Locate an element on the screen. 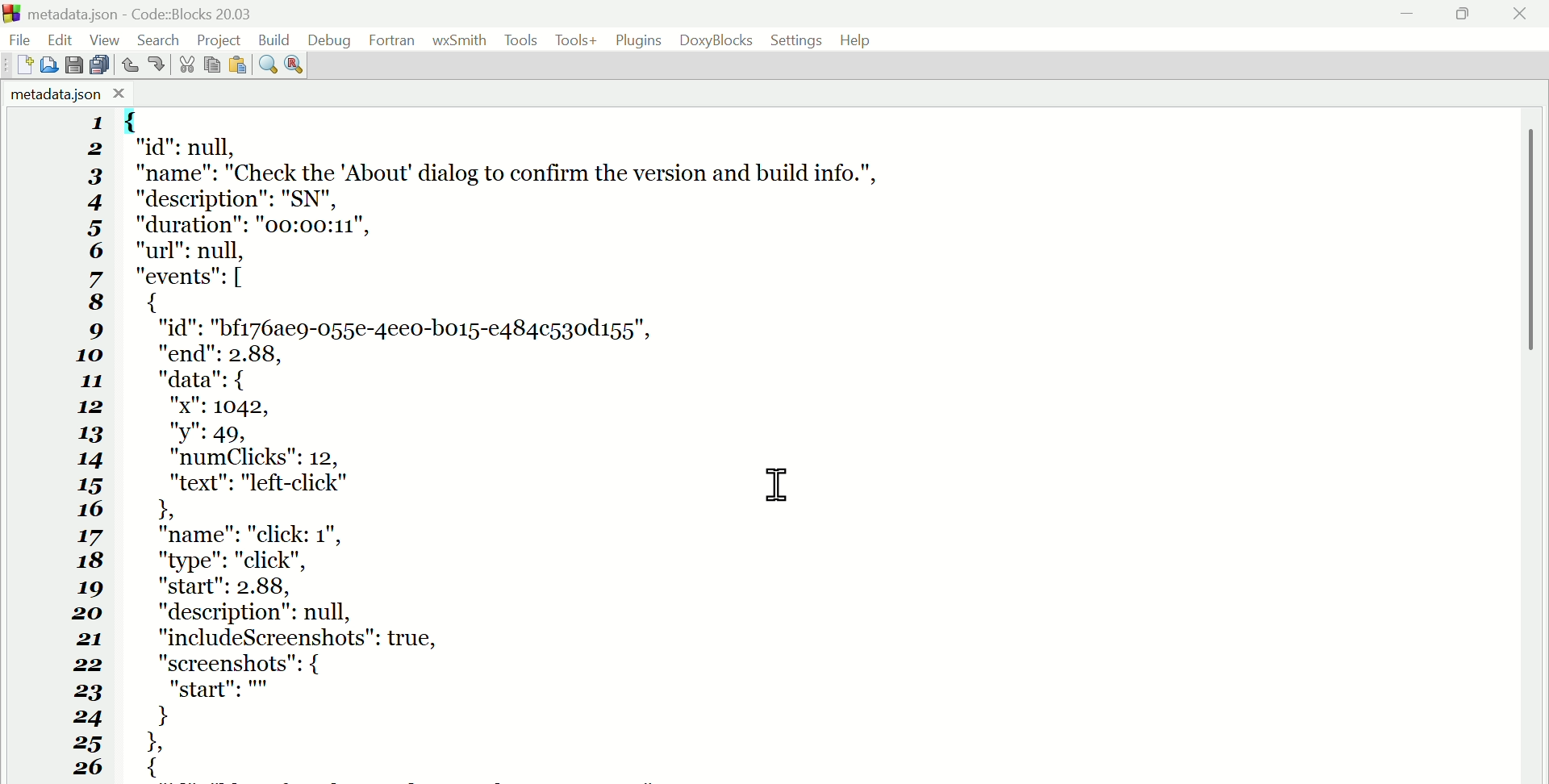 Image resolution: width=1549 pixels, height=784 pixels. save is located at coordinates (77, 65).